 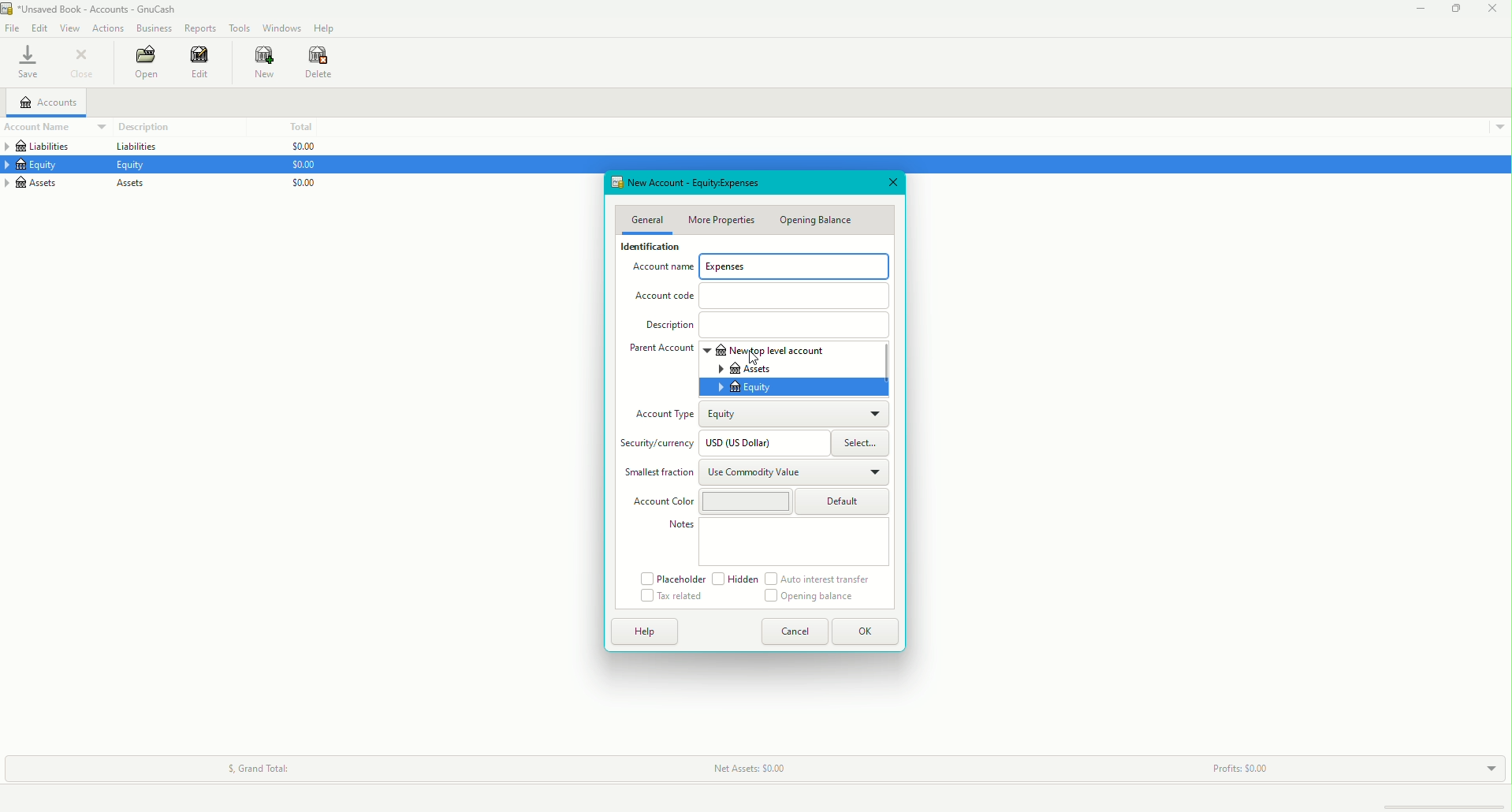 What do you see at coordinates (261, 63) in the screenshot?
I see `New` at bounding box center [261, 63].